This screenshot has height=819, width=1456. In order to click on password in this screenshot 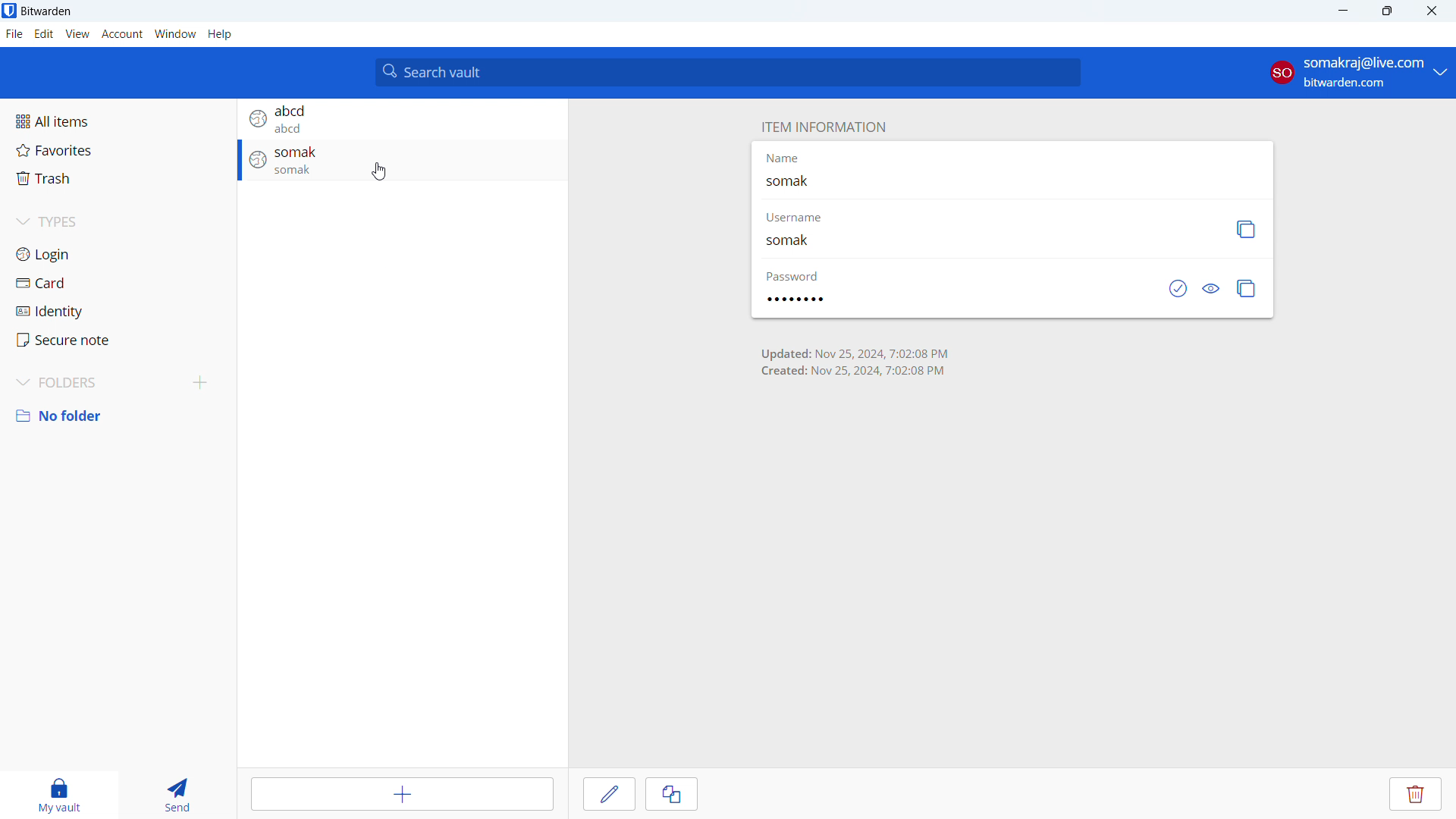, I will do `click(795, 299)`.